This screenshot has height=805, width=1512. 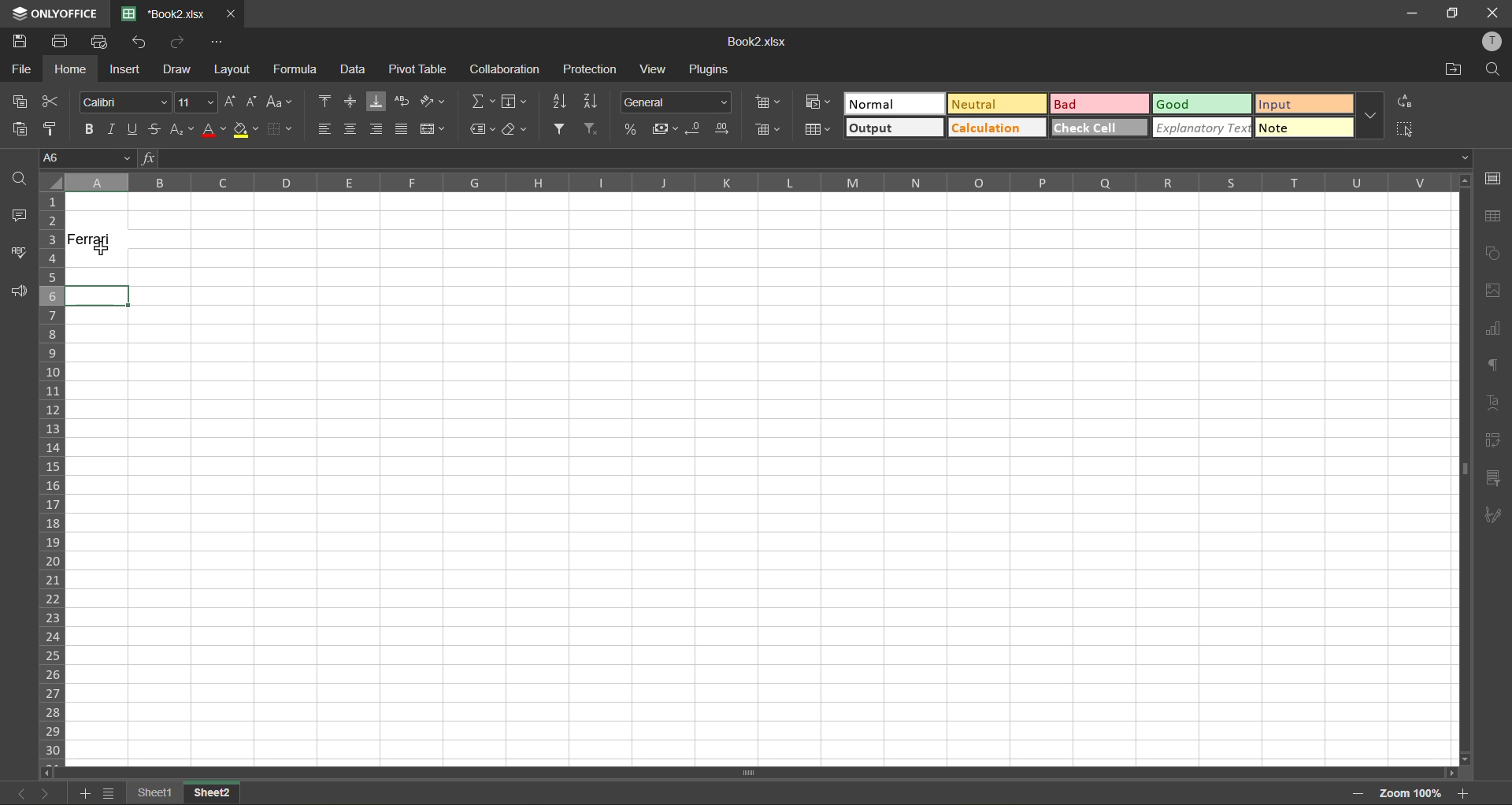 I want to click on find, so click(x=1493, y=70).